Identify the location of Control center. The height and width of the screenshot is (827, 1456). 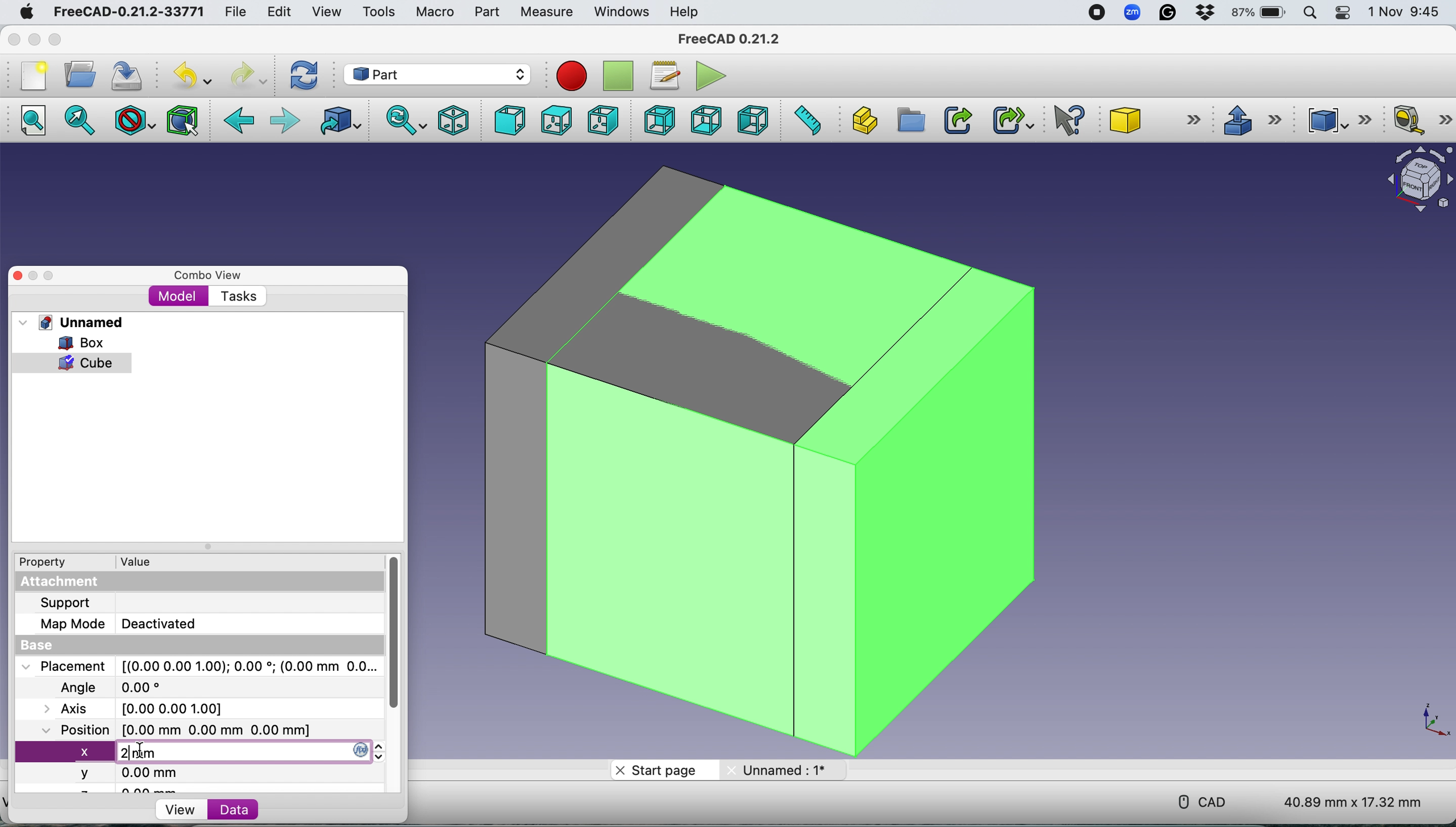
(1345, 13).